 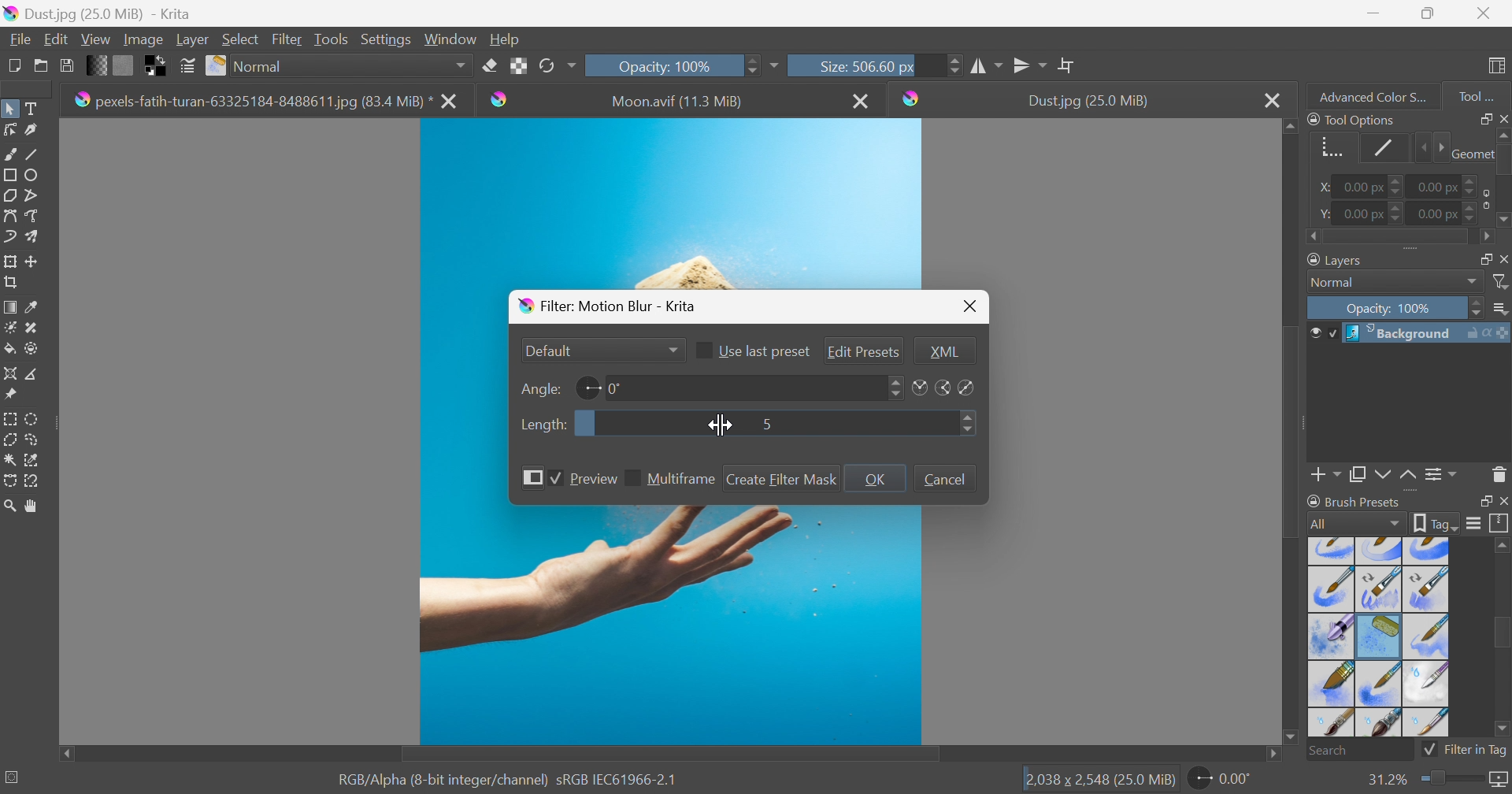 I want to click on Close, so click(x=1503, y=117).